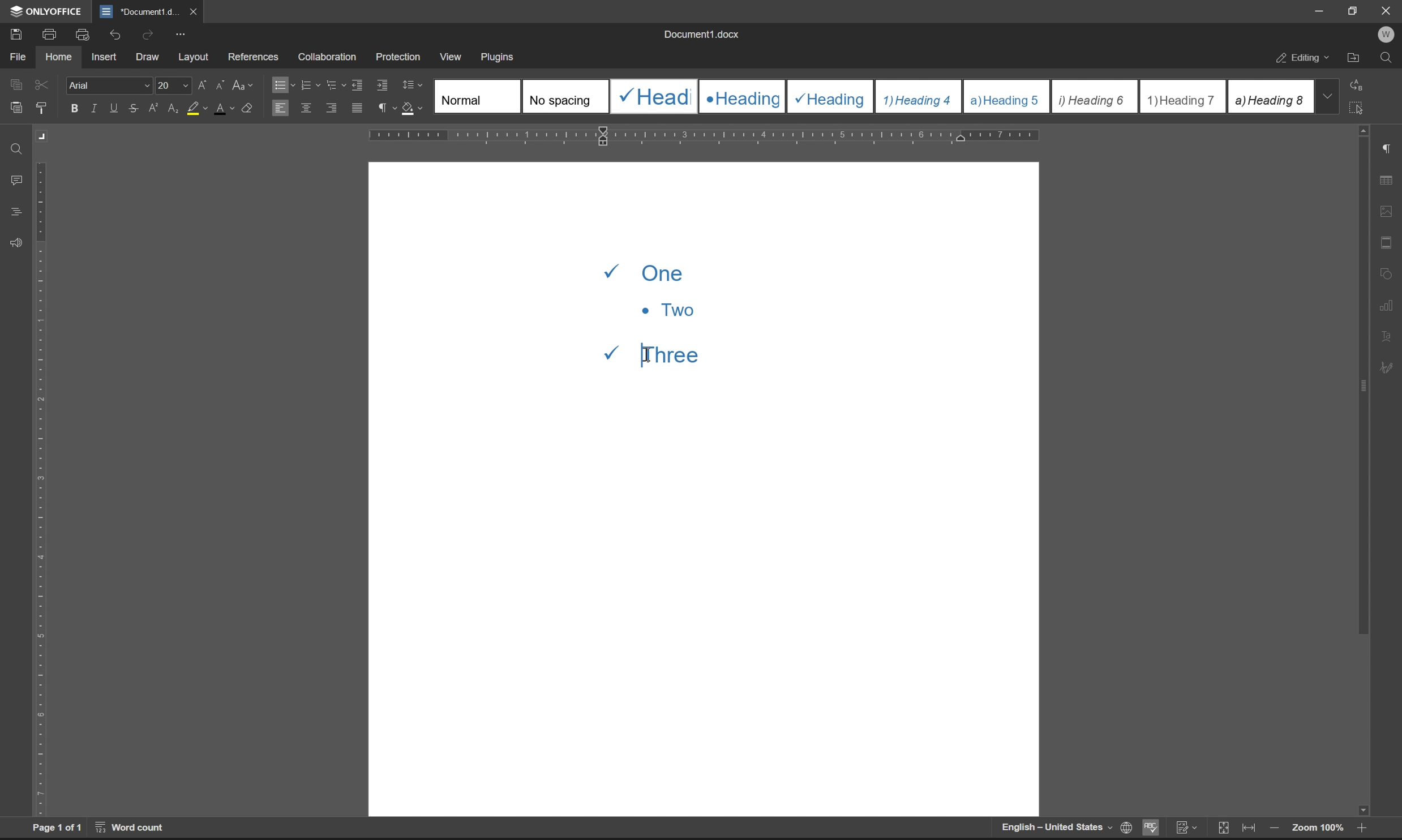  What do you see at coordinates (331, 57) in the screenshot?
I see `collaboration` at bounding box center [331, 57].